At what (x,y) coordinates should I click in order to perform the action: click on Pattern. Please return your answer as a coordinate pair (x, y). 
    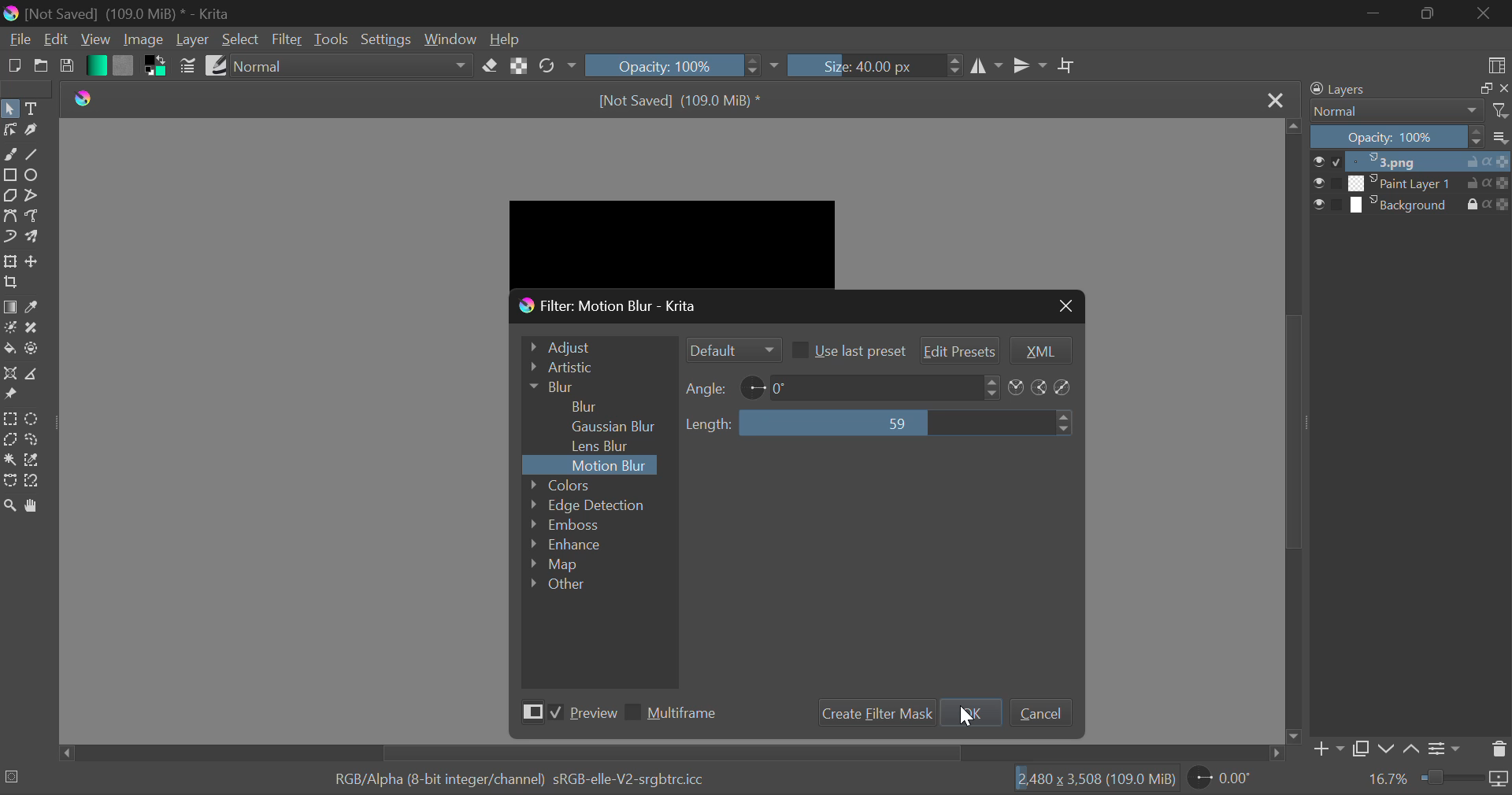
    Looking at the image, I should click on (123, 66).